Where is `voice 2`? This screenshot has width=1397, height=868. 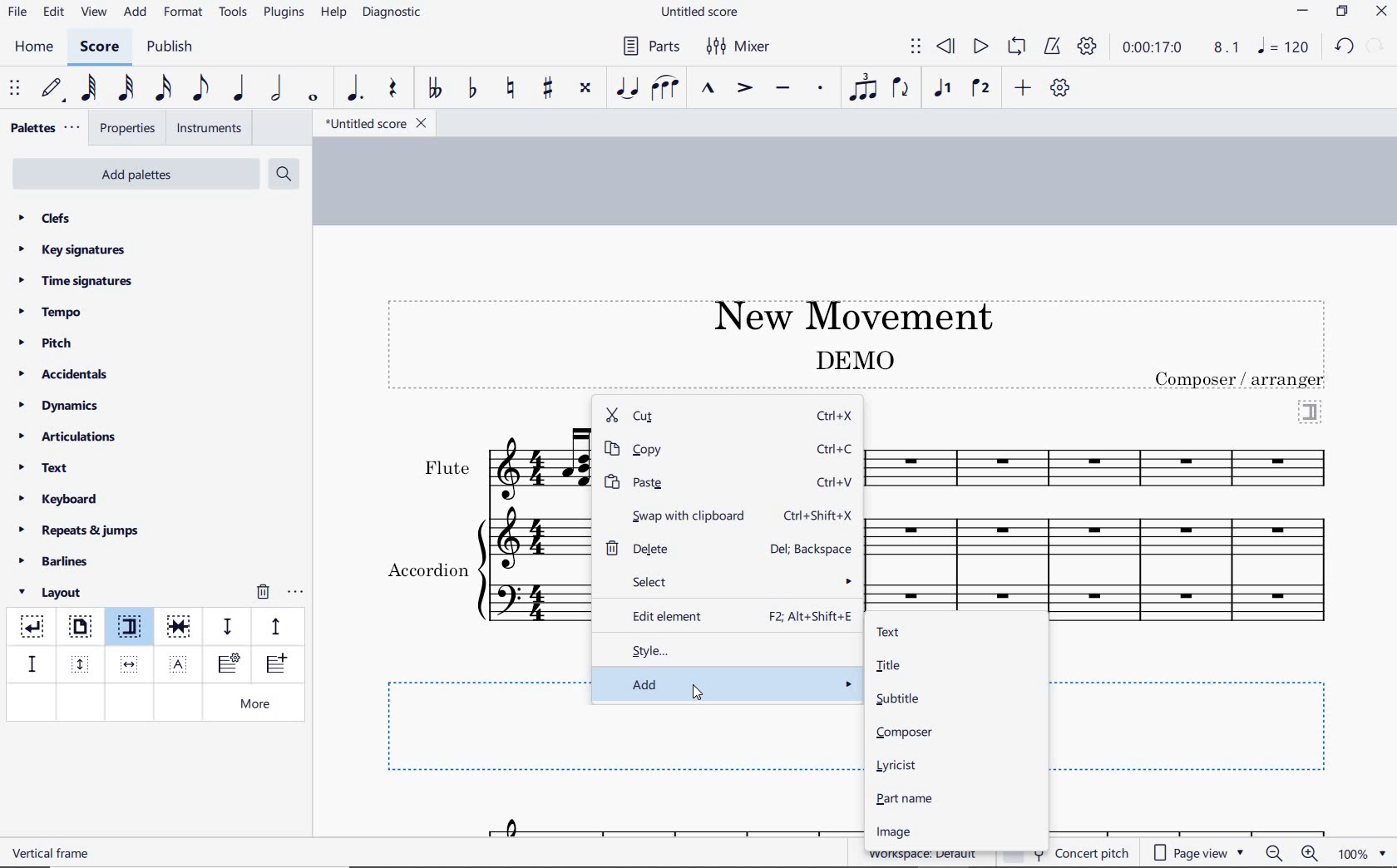 voice 2 is located at coordinates (981, 89).